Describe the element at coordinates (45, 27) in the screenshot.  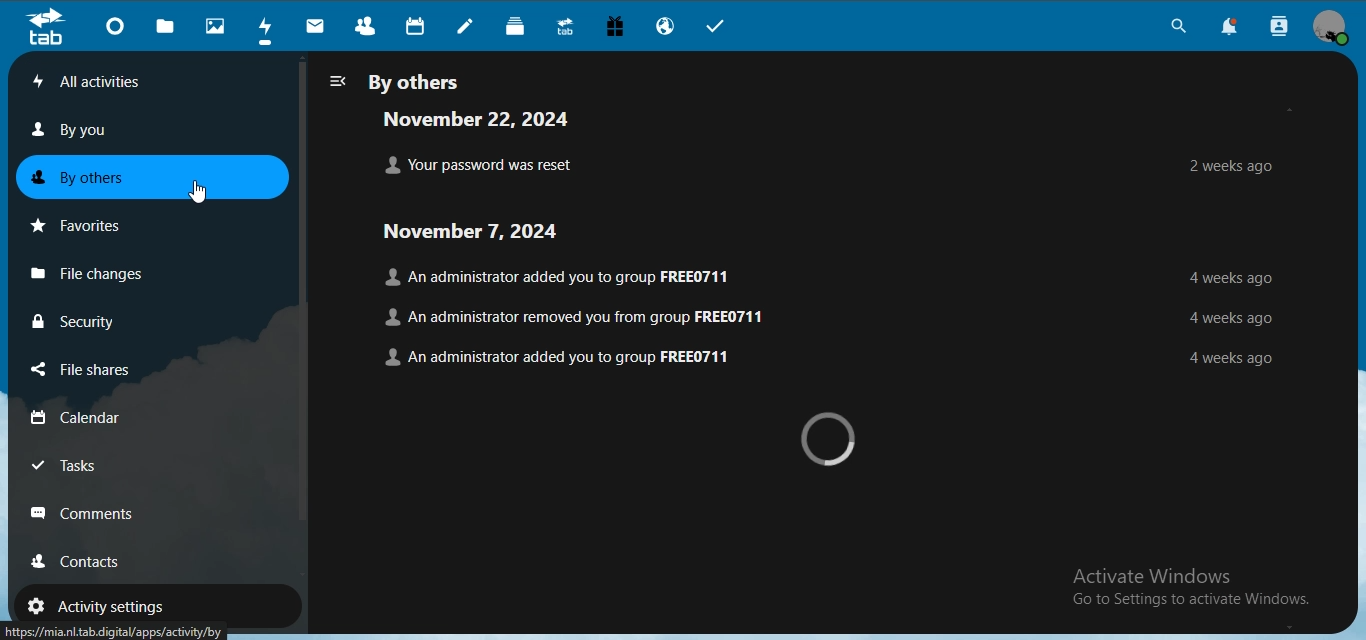
I see `tab` at that location.